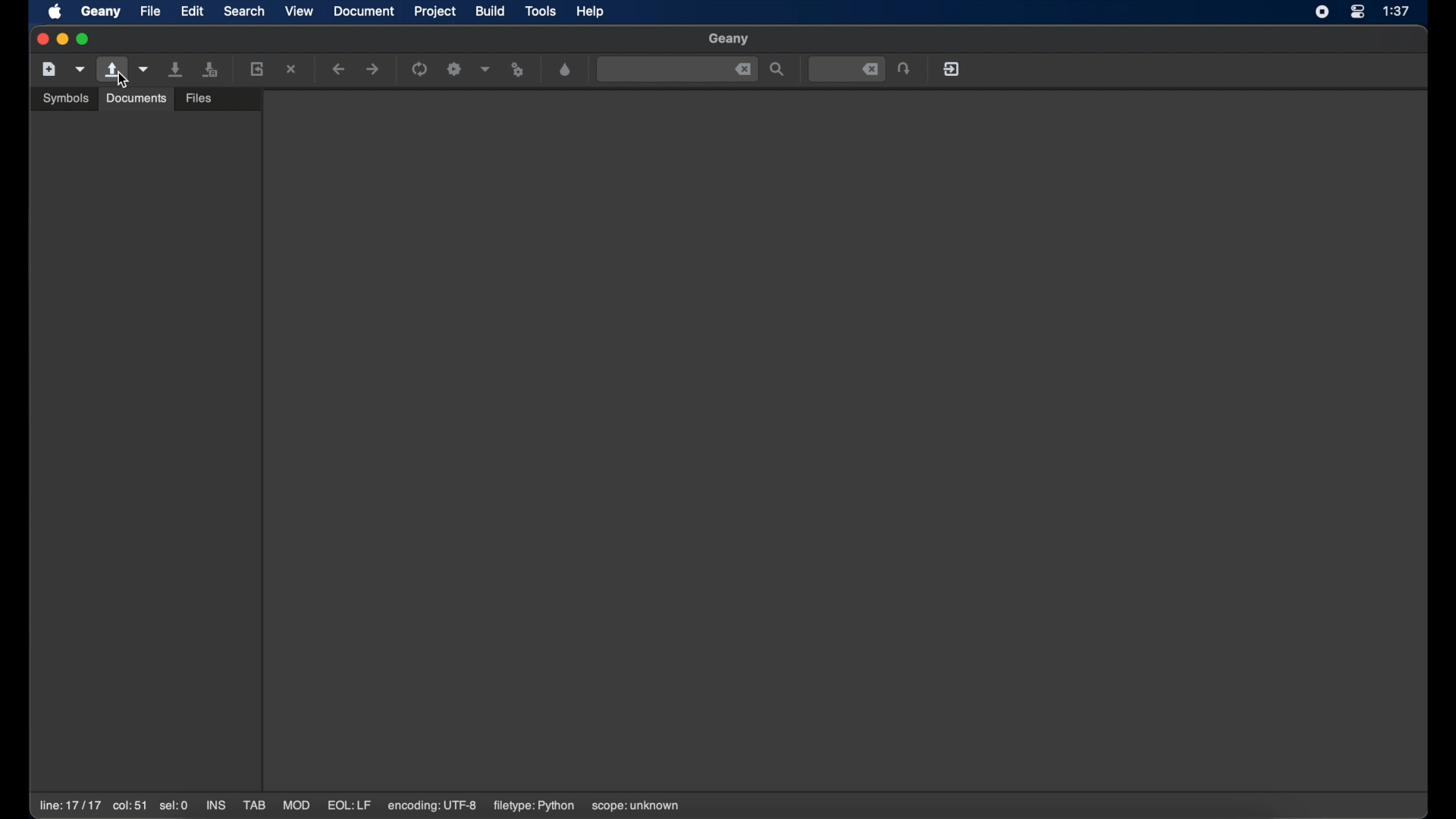 This screenshot has width=1456, height=819. Describe the element at coordinates (541, 12) in the screenshot. I see `tools` at that location.